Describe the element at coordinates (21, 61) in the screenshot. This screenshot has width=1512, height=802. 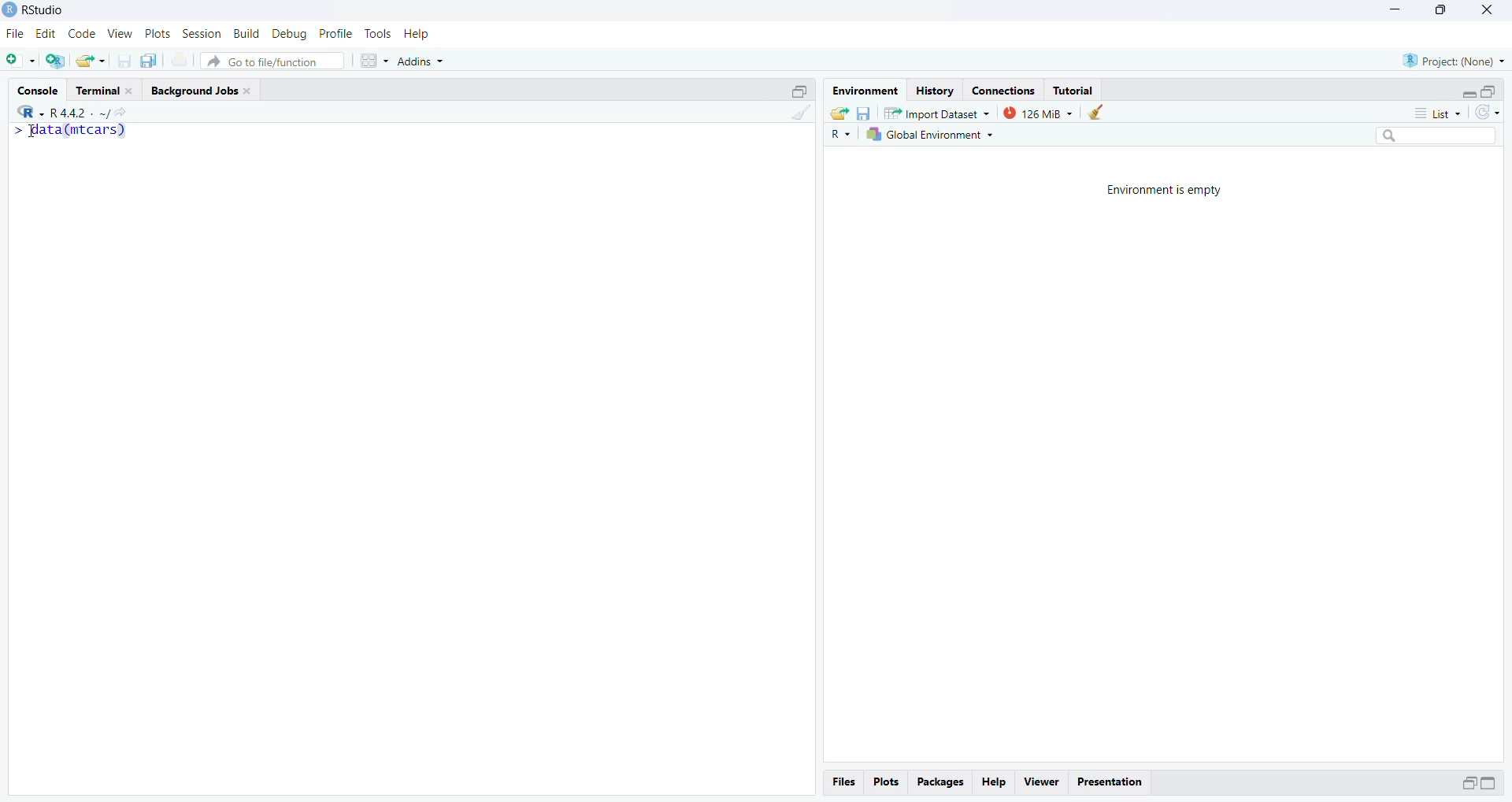
I see `new file` at that location.